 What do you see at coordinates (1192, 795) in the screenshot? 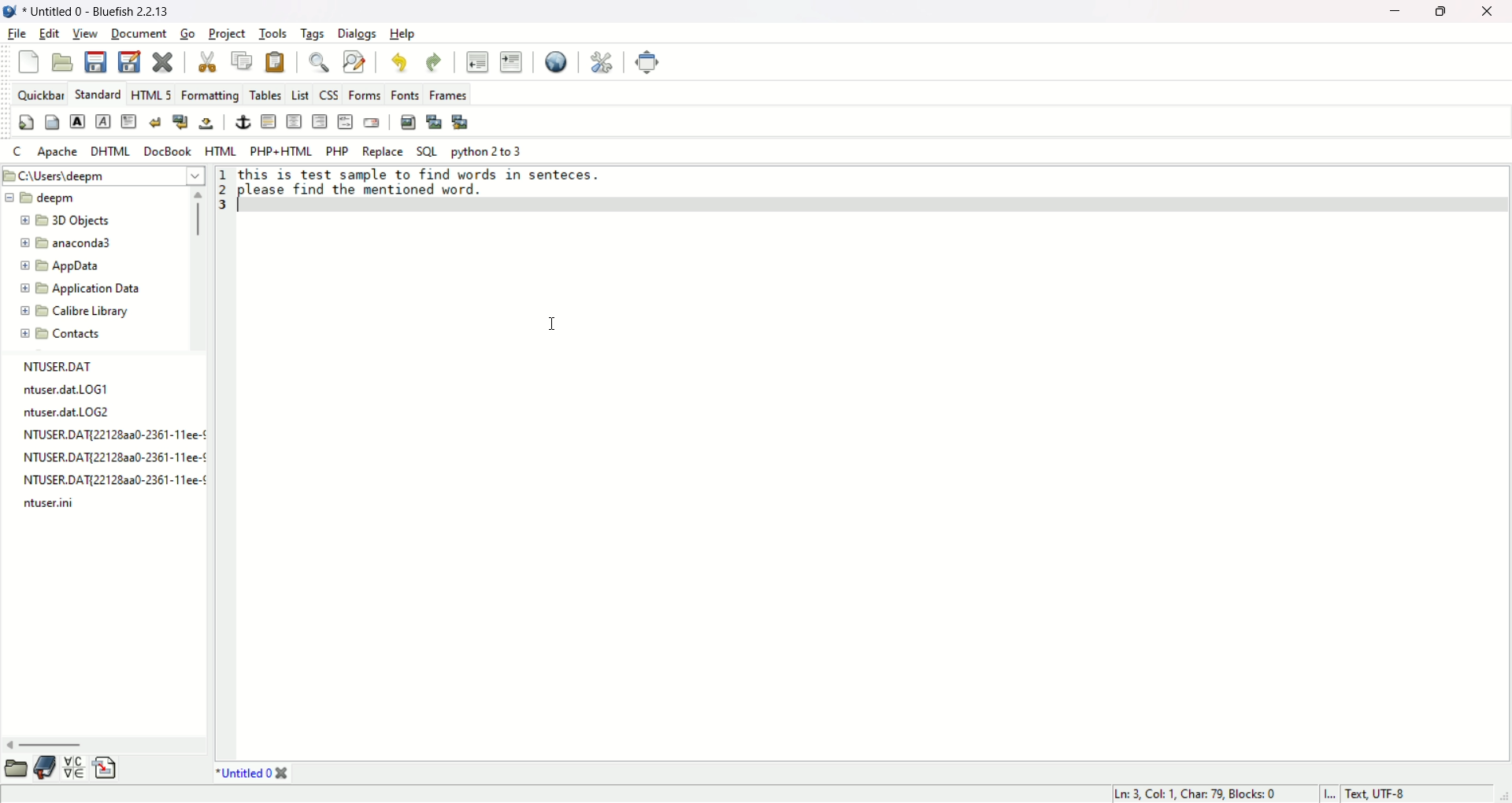
I see `ln, col, char, blocks` at bounding box center [1192, 795].